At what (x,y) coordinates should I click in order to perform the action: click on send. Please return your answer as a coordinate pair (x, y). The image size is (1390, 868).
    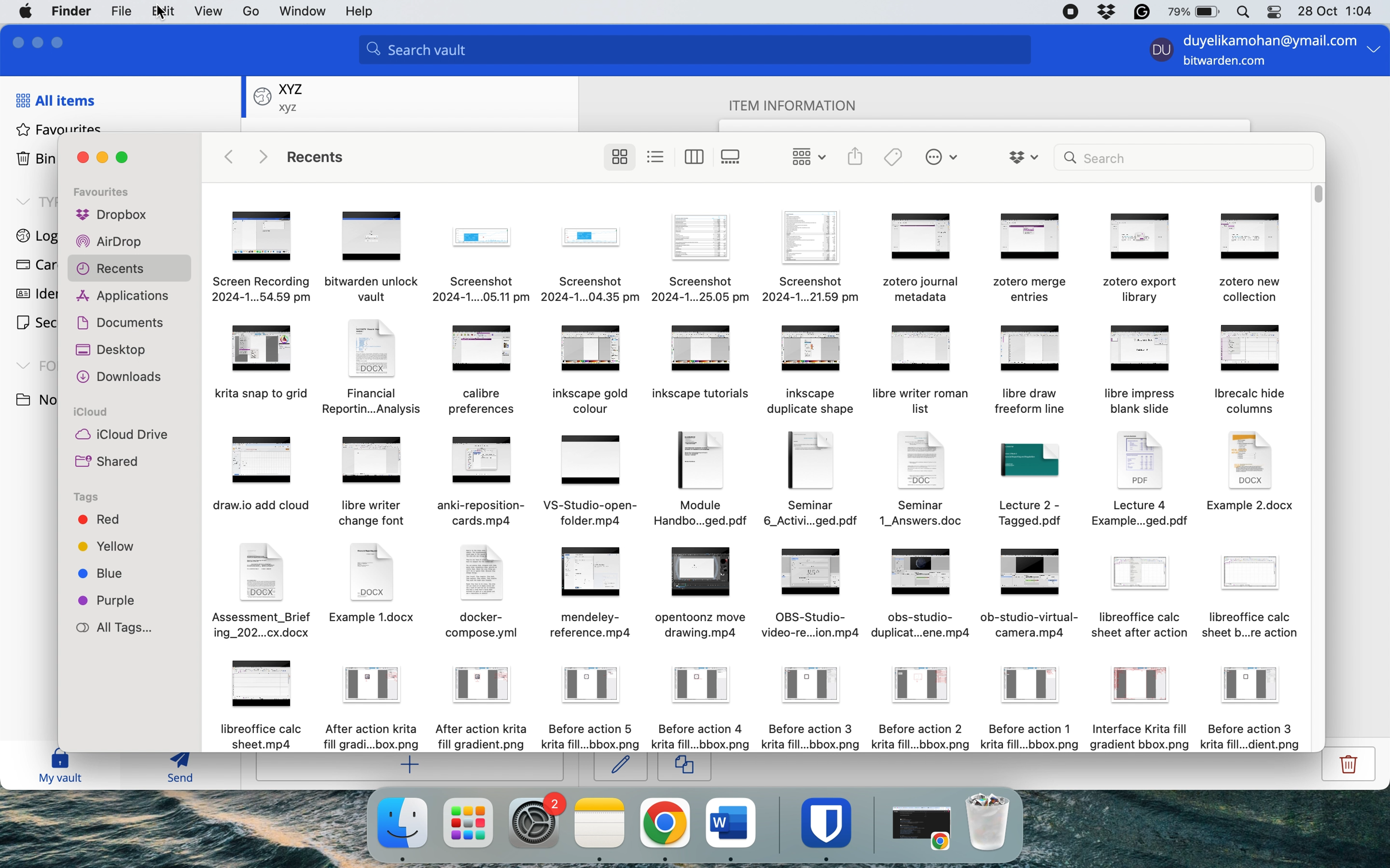
    Looking at the image, I should click on (173, 770).